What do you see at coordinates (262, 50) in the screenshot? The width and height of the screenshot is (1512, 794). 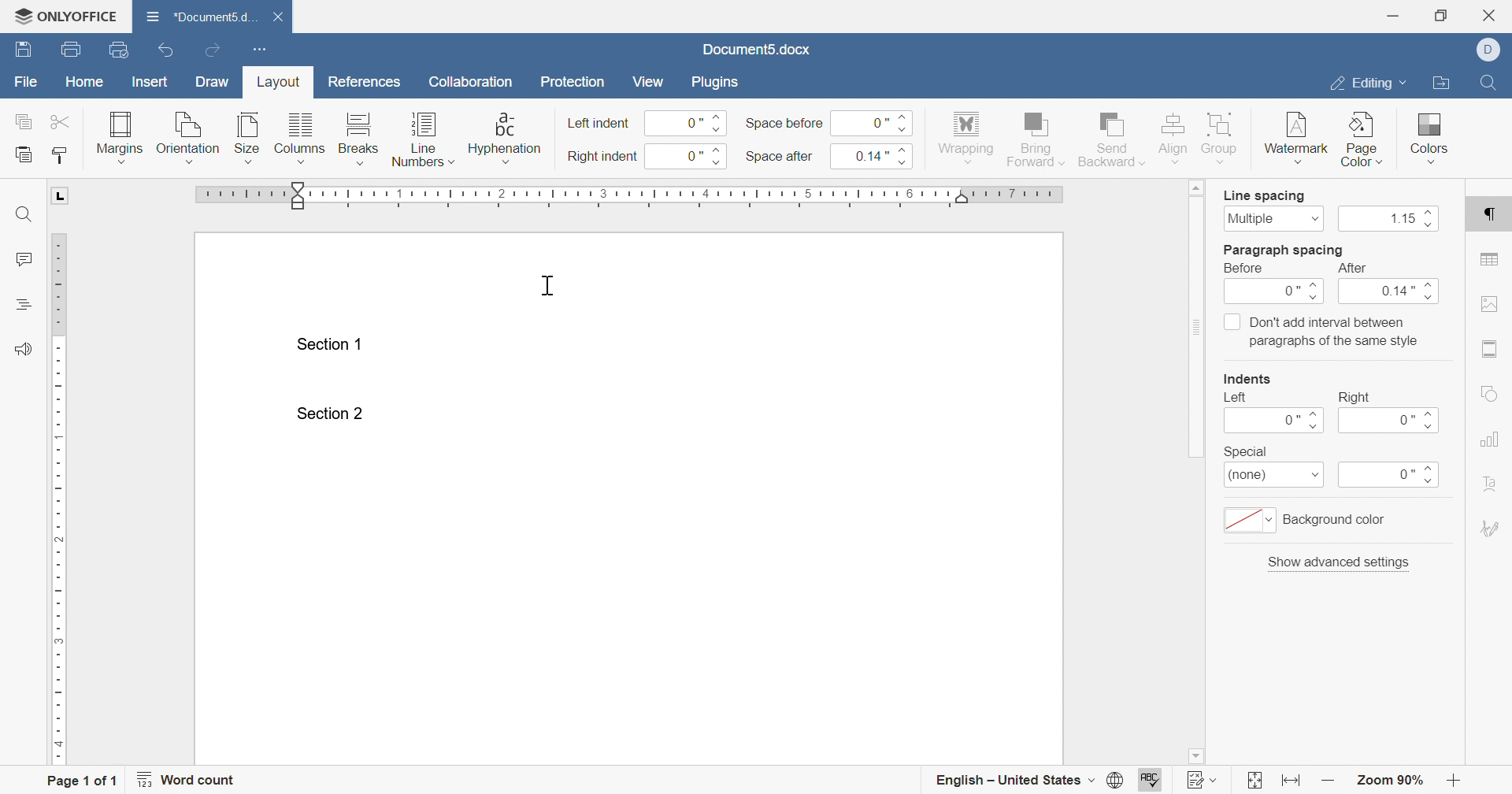 I see `customize quick access toolbar` at bounding box center [262, 50].